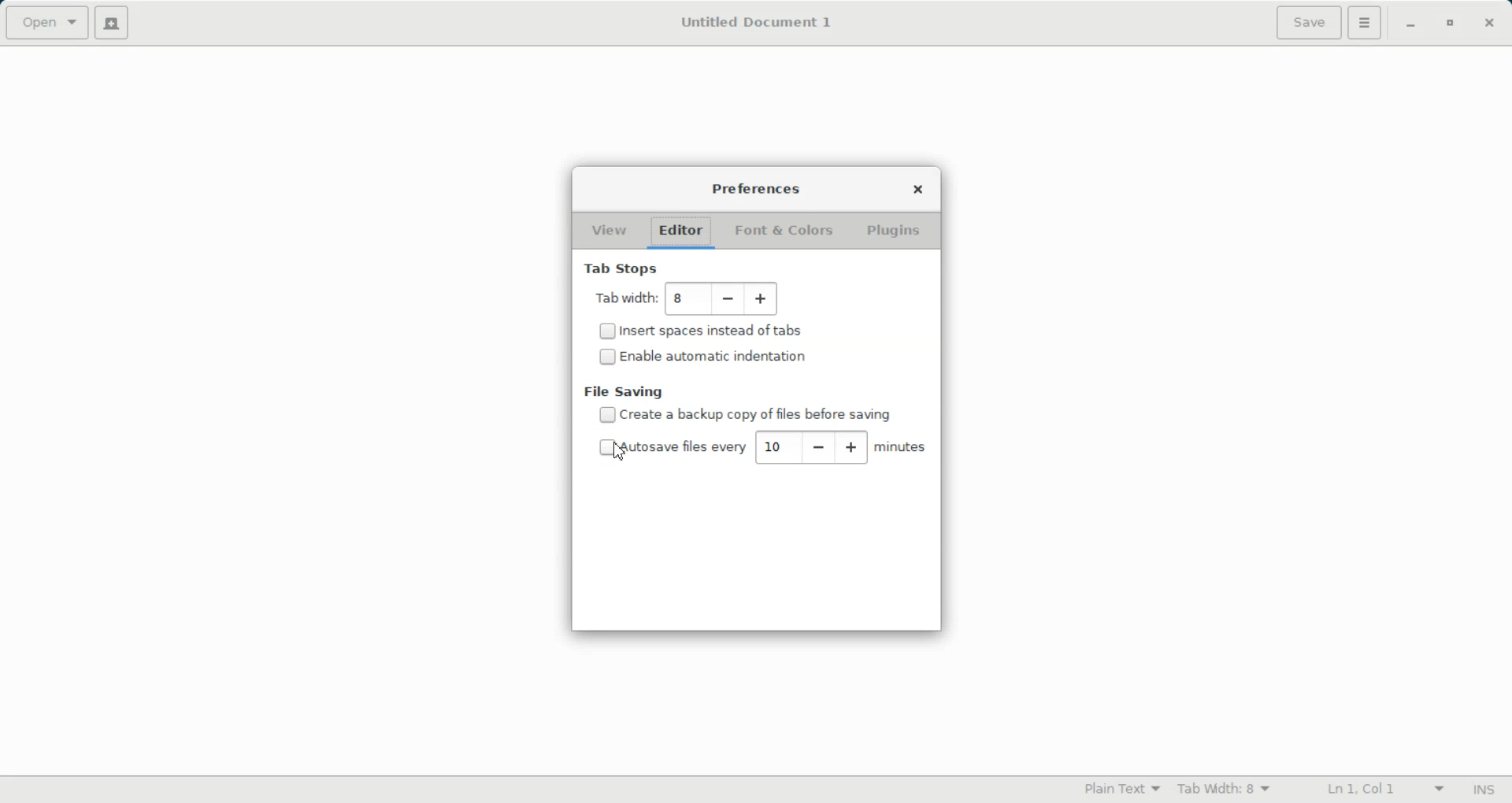 The image size is (1512, 803). What do you see at coordinates (1224, 790) in the screenshot?
I see `Tab Width` at bounding box center [1224, 790].